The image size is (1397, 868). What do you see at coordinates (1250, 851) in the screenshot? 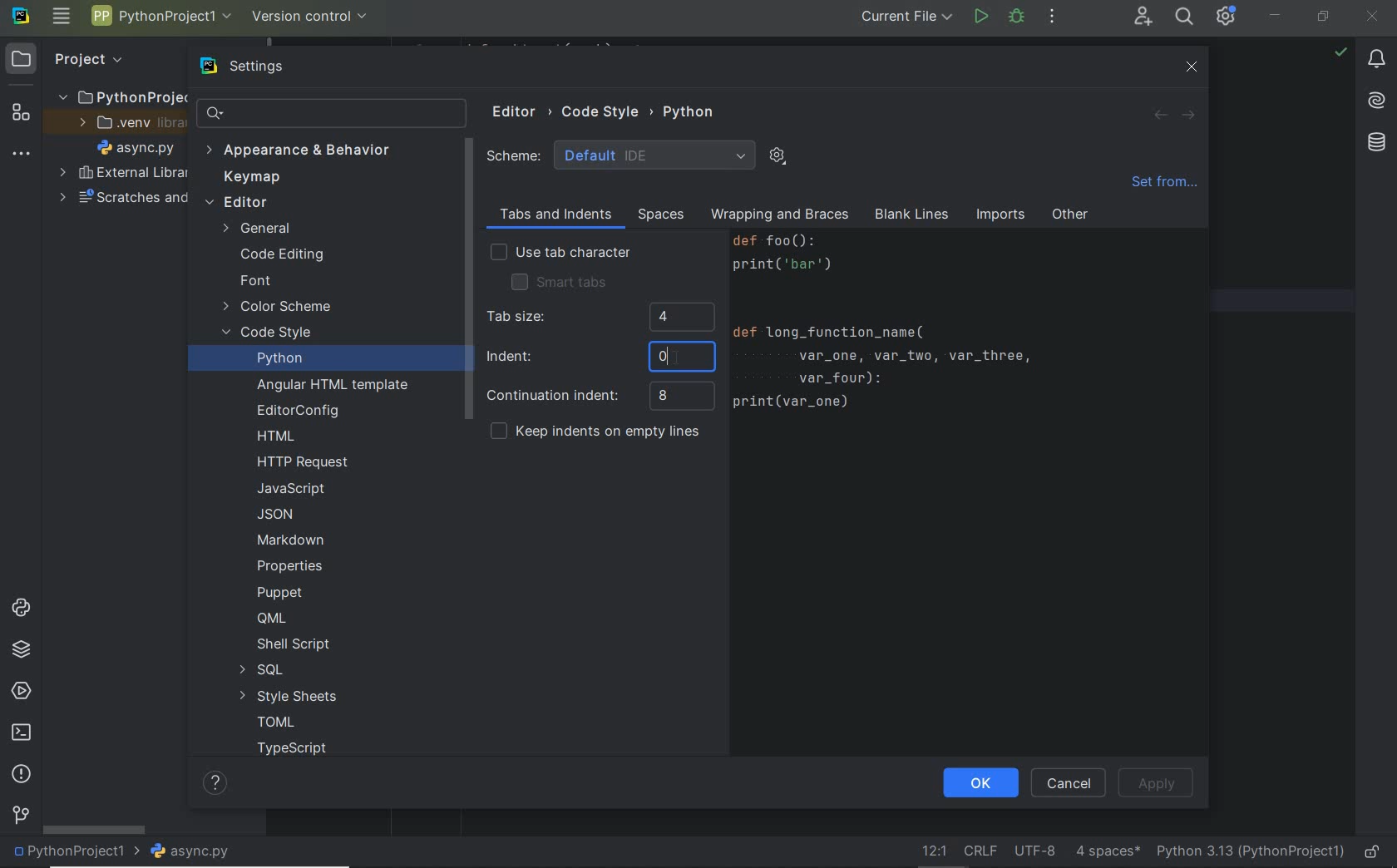
I see `current interpreter` at bounding box center [1250, 851].